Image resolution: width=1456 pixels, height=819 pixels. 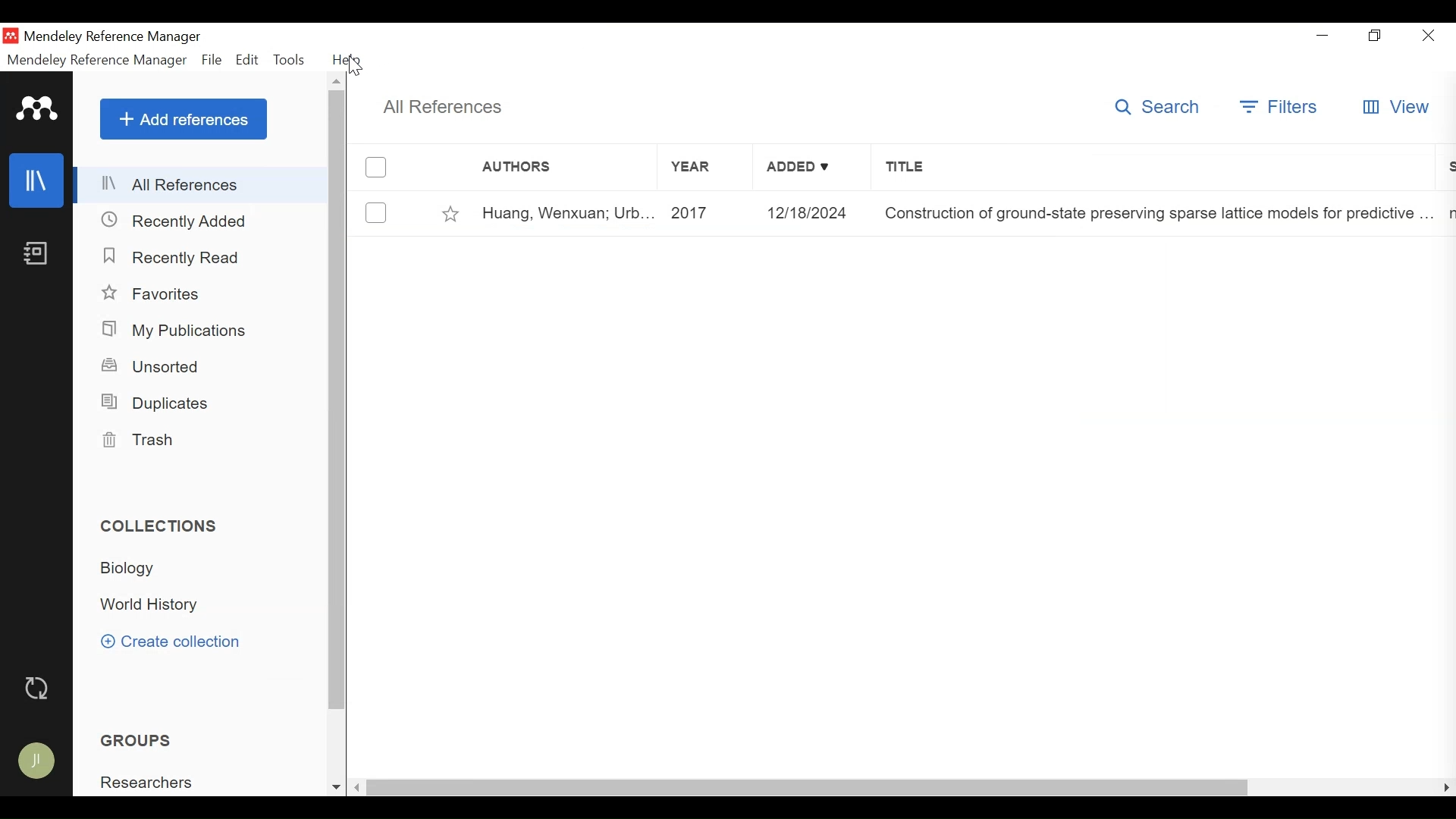 I want to click on Restore, so click(x=1373, y=37).